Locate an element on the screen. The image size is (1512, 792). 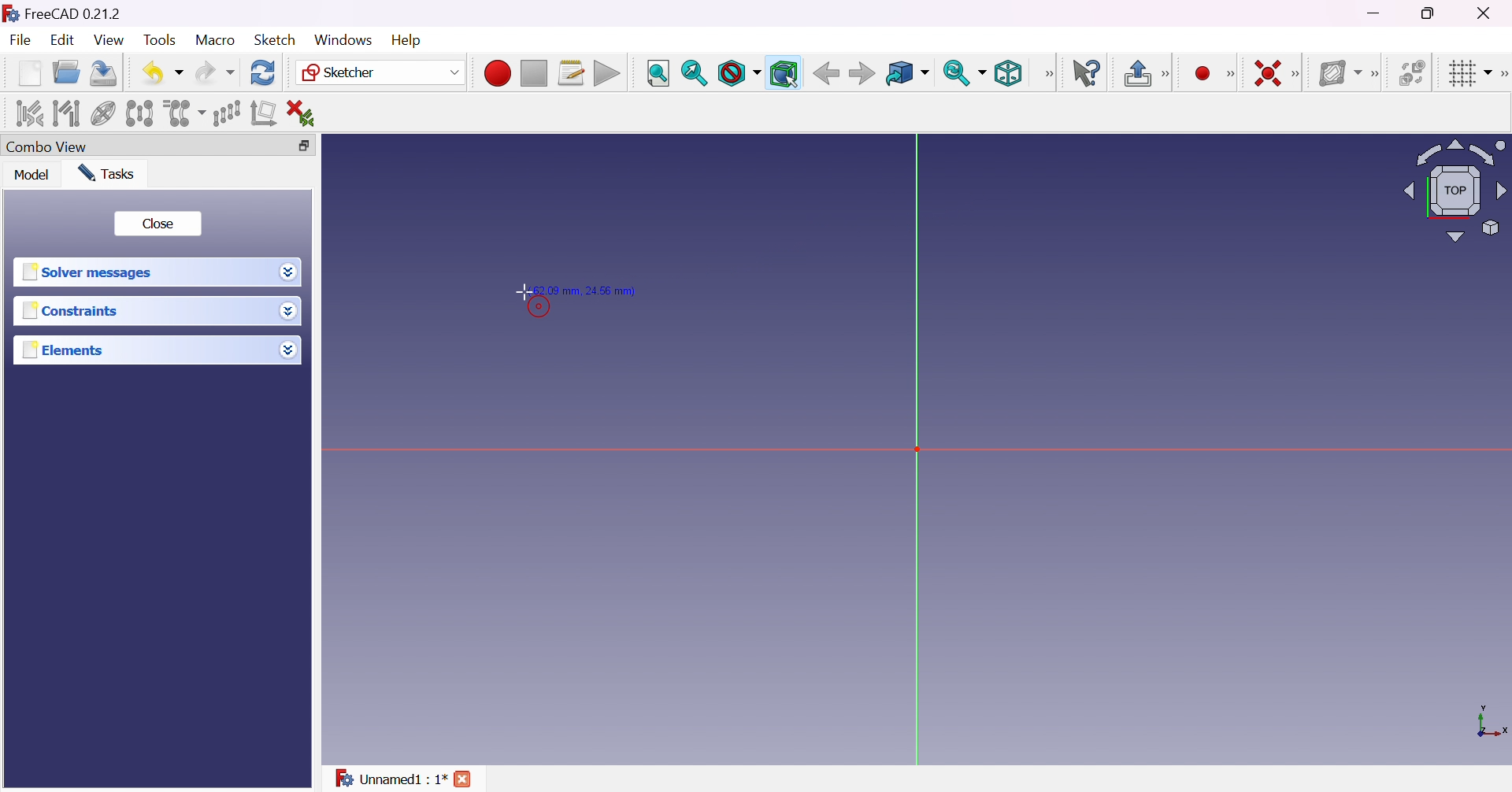
Show/hide B-spline information layer is located at coordinates (1340, 72).